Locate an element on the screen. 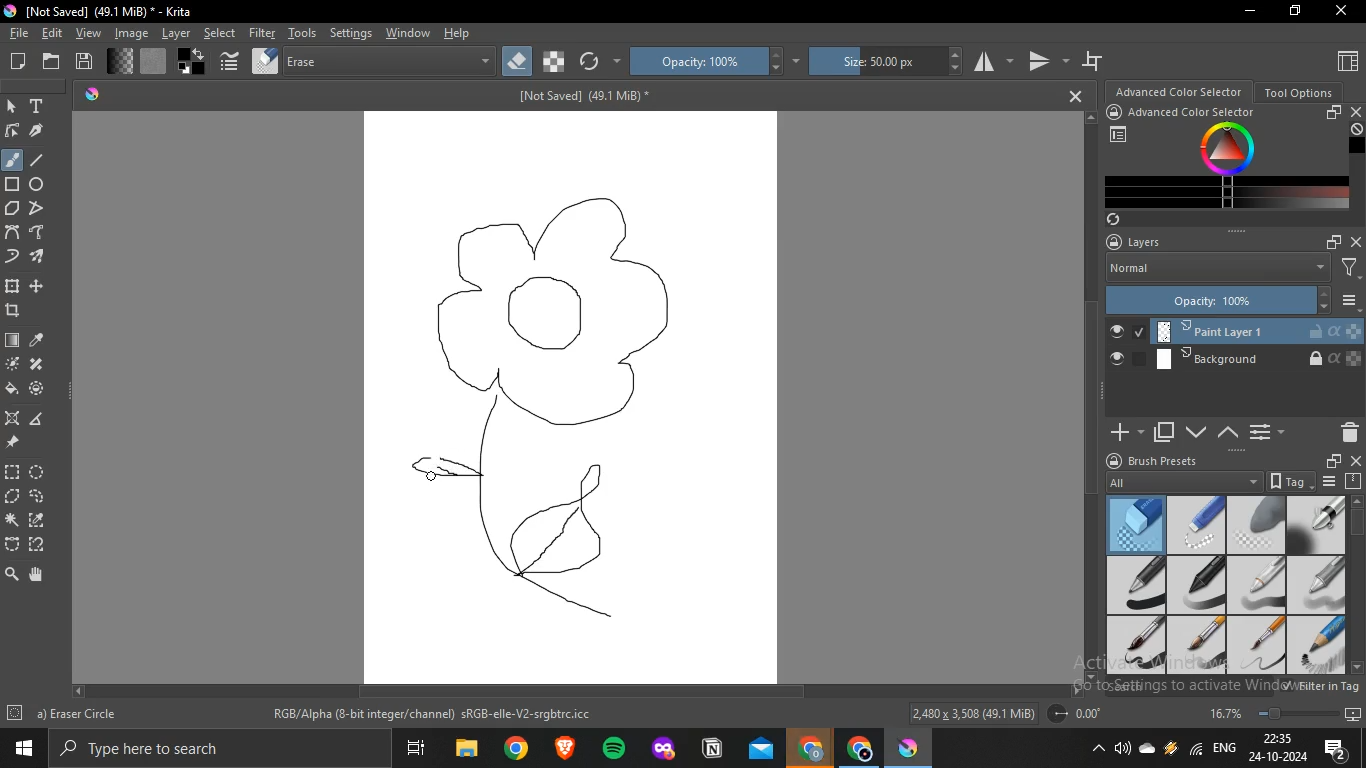 This screenshot has height=768, width=1366. zoom tool is located at coordinates (11, 573).